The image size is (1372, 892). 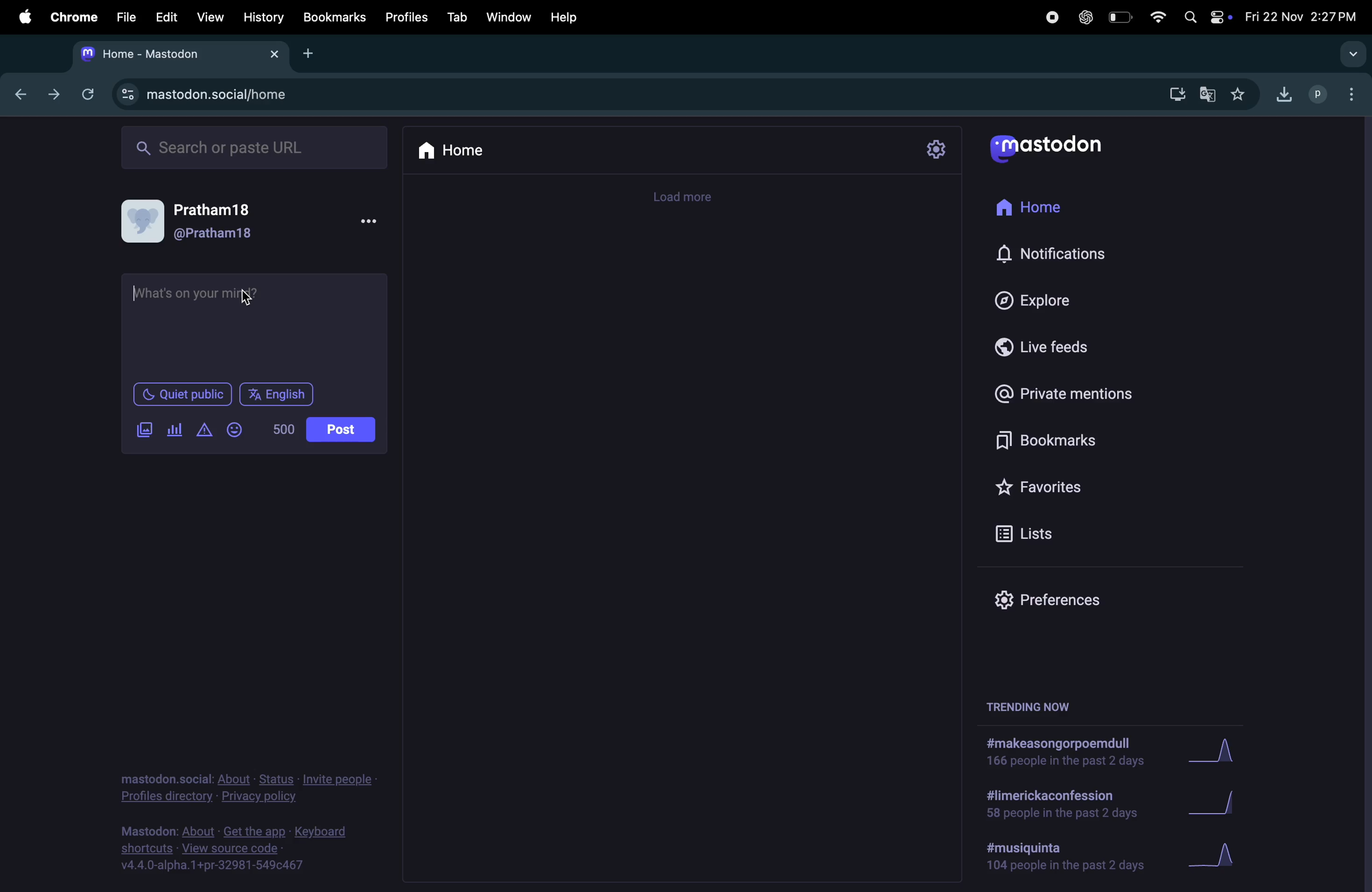 What do you see at coordinates (1071, 393) in the screenshot?
I see `private mentions` at bounding box center [1071, 393].